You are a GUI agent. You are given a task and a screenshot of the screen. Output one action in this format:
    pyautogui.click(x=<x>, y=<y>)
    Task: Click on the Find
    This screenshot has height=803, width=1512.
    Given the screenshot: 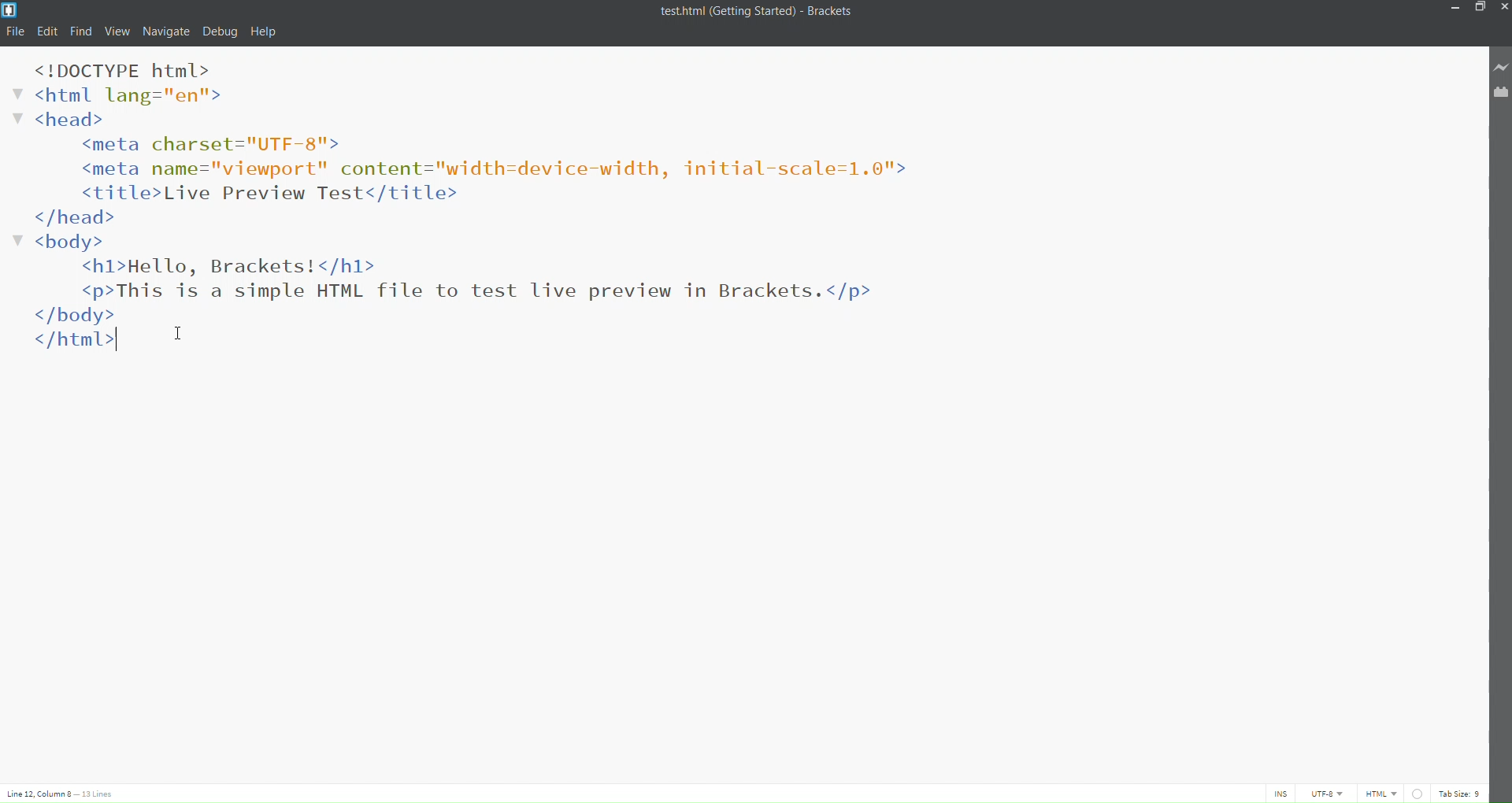 What is the action you would take?
    pyautogui.click(x=81, y=32)
    